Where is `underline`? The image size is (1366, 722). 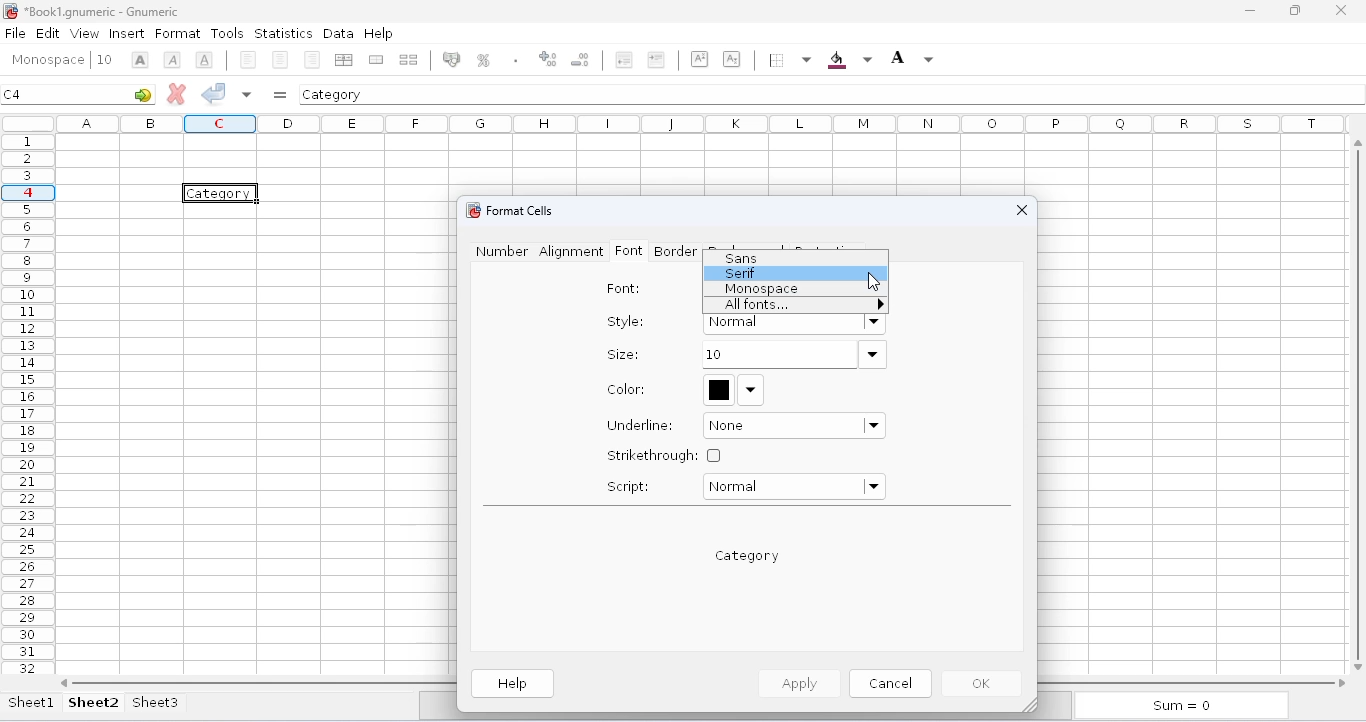 underline is located at coordinates (204, 59).